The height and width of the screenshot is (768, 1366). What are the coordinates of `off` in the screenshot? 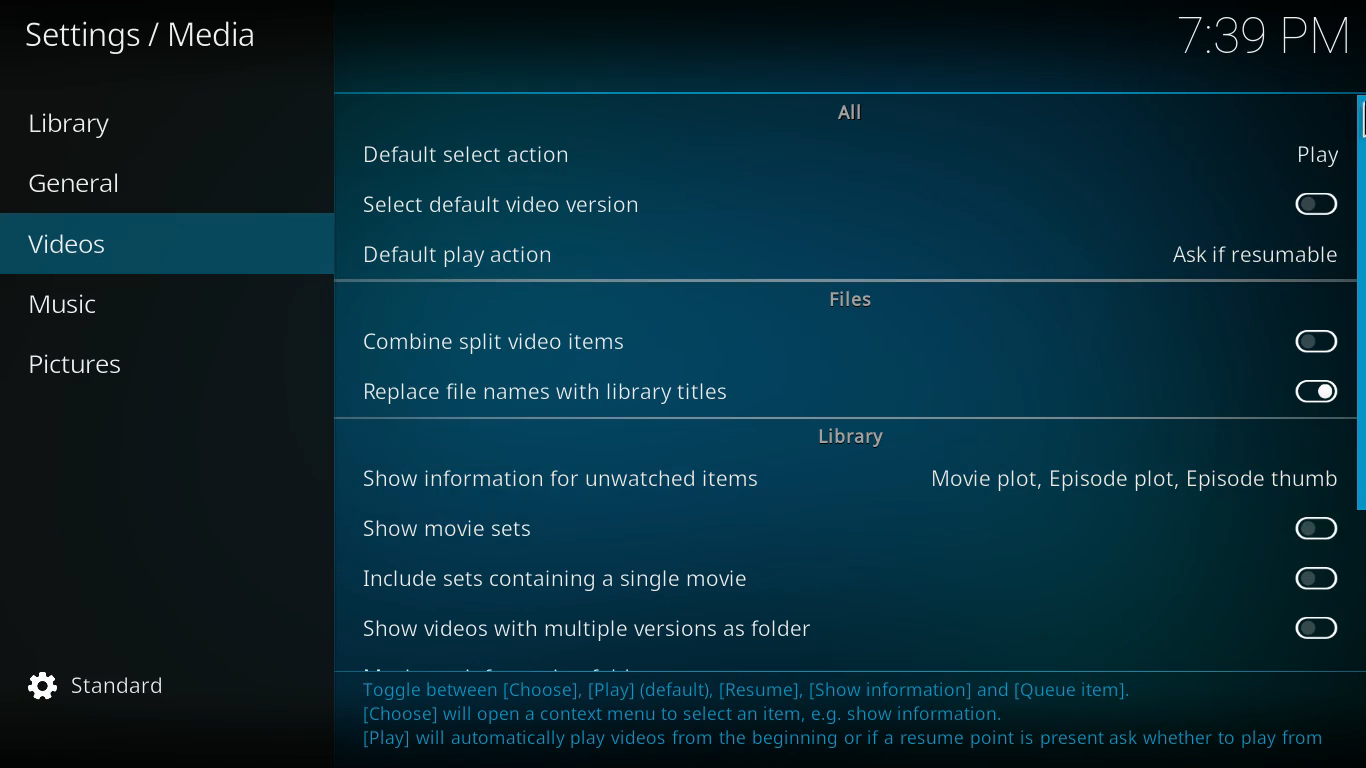 It's located at (1321, 343).